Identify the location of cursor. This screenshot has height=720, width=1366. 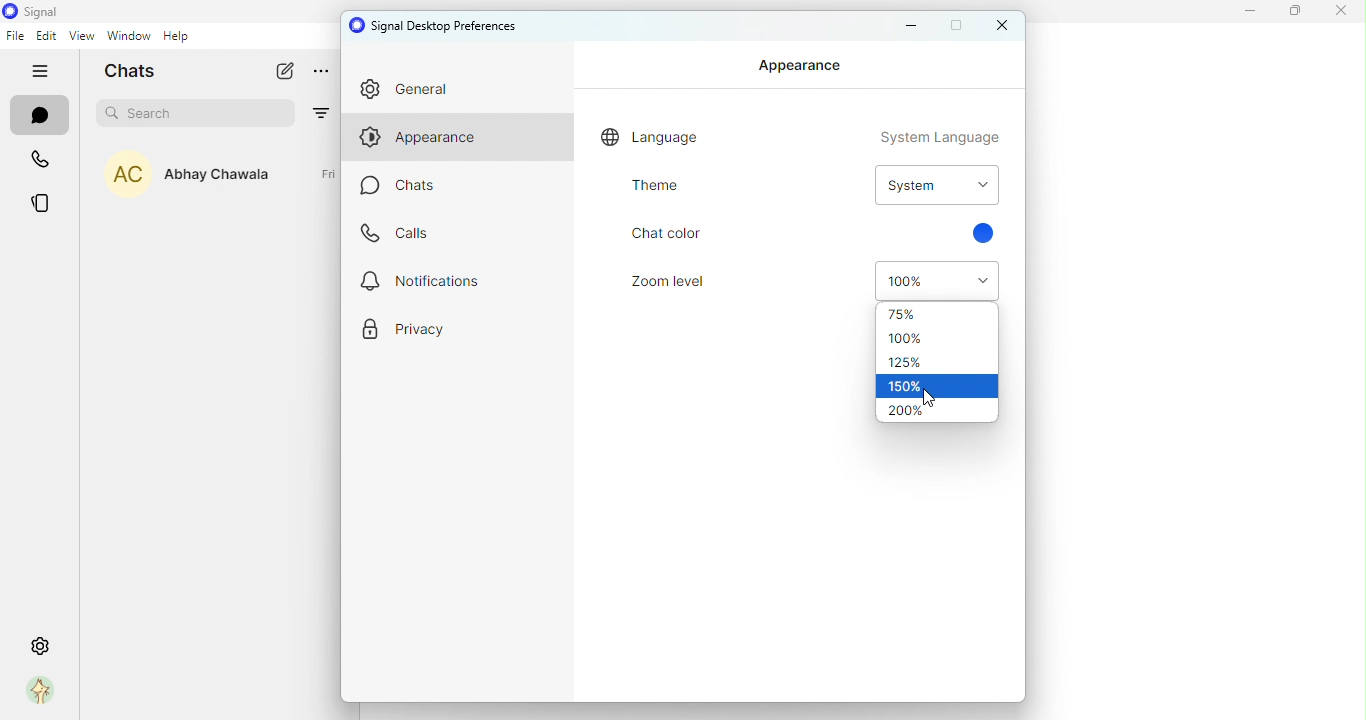
(930, 400).